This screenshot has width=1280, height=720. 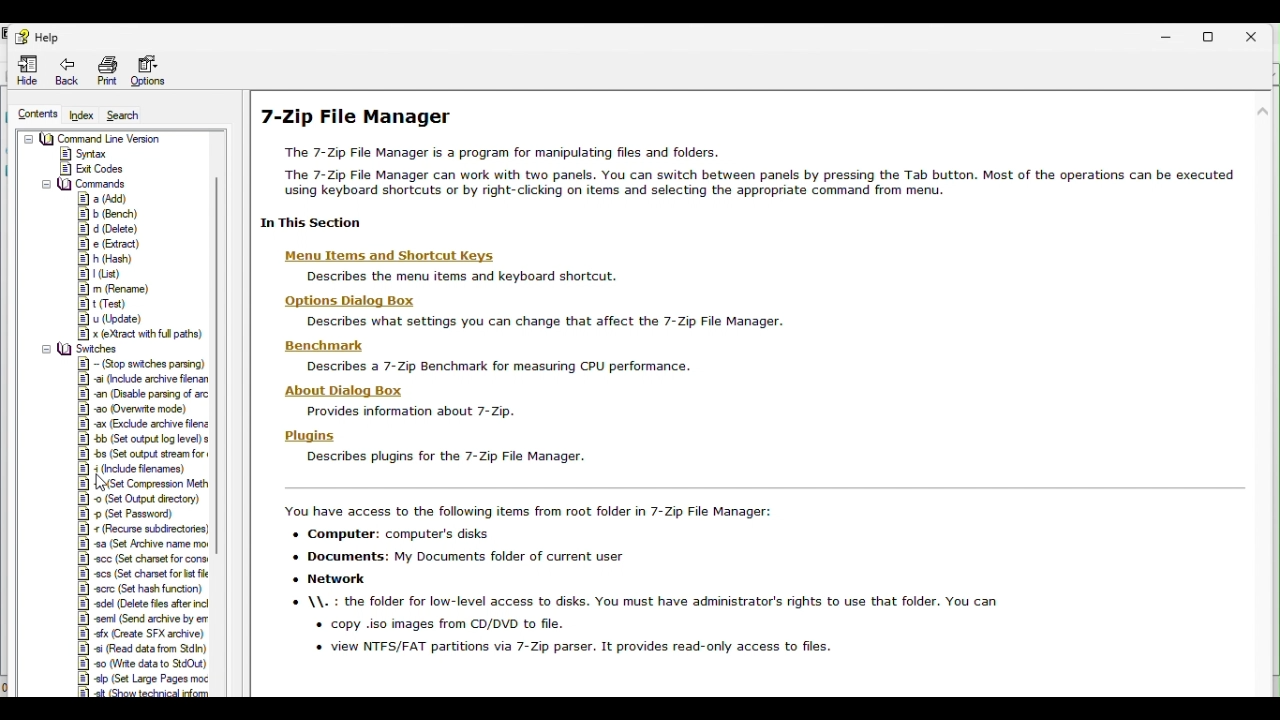 What do you see at coordinates (124, 138) in the screenshot?
I see `Command line version` at bounding box center [124, 138].